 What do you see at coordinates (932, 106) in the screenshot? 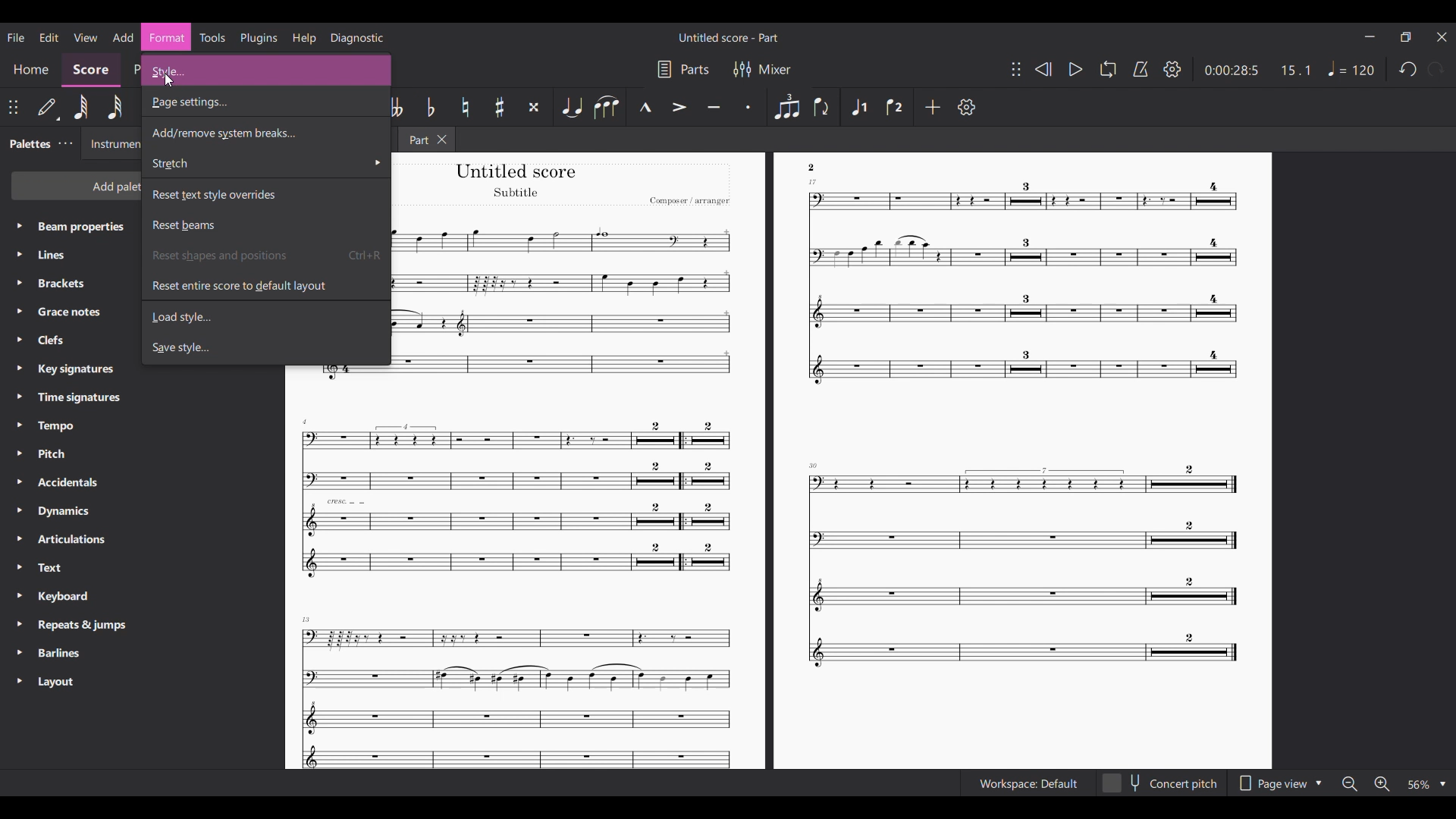
I see `Add` at bounding box center [932, 106].